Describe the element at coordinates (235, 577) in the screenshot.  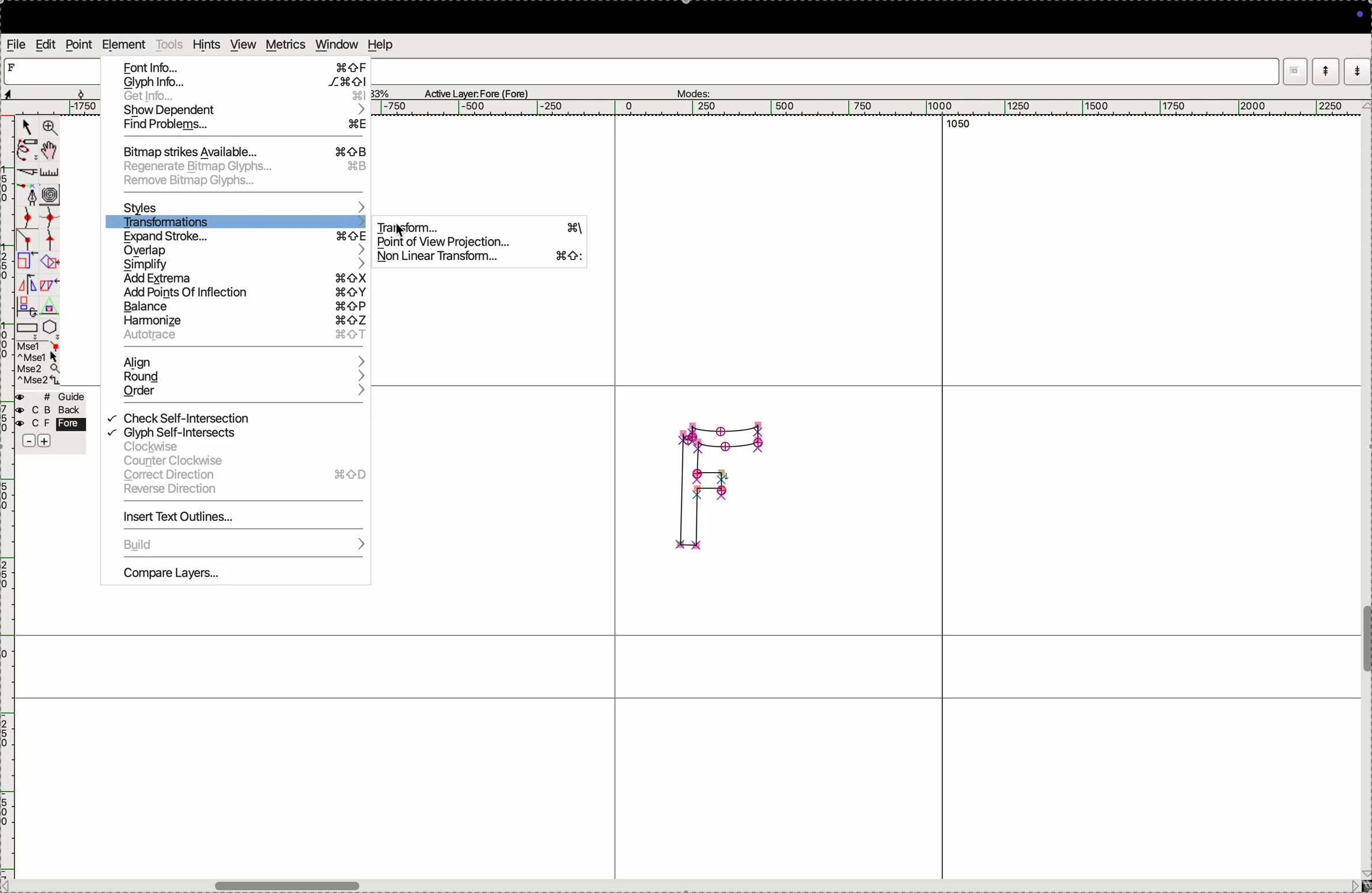
I see `compare layers` at that location.